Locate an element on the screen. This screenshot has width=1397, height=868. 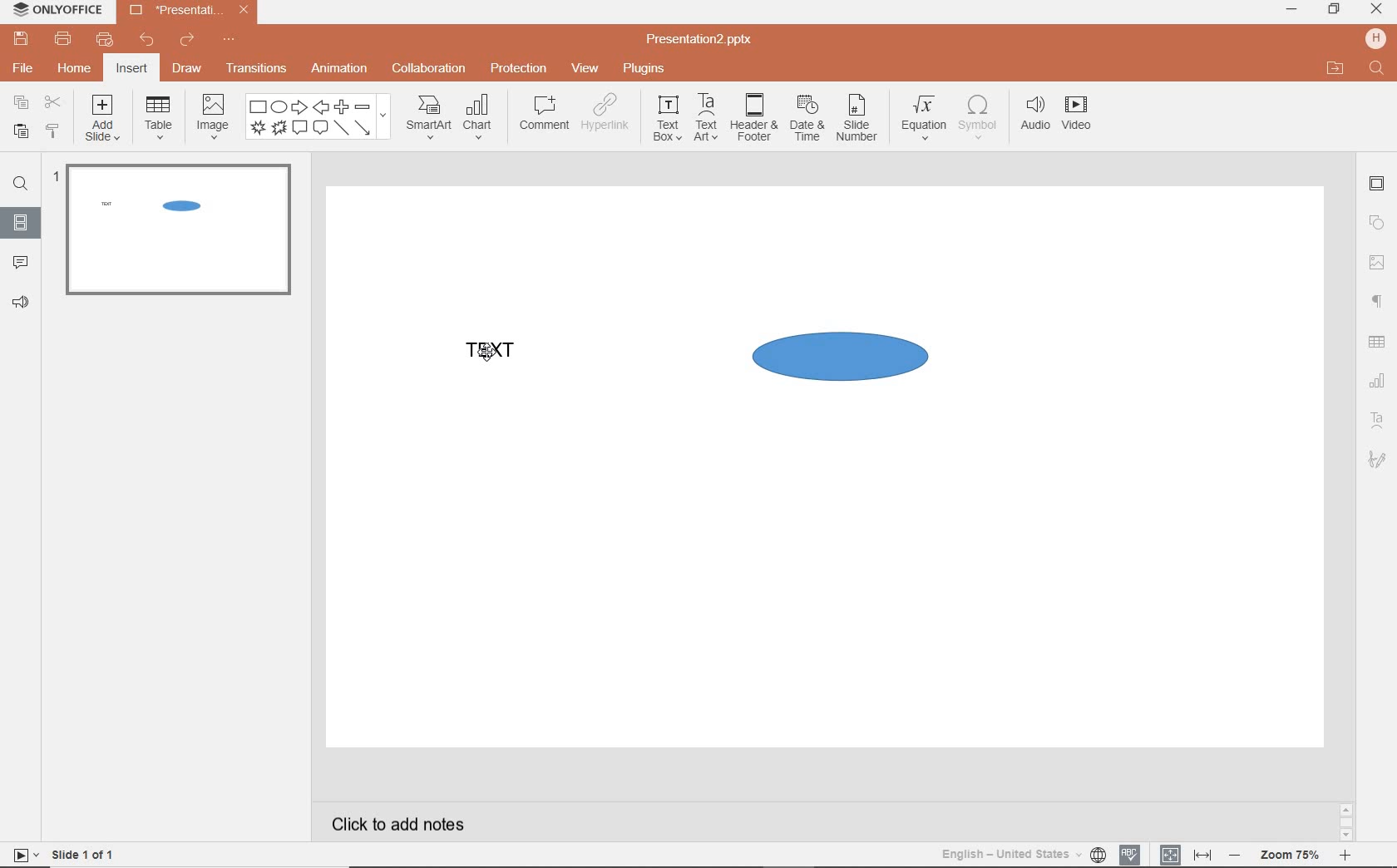
view is located at coordinates (582, 69).